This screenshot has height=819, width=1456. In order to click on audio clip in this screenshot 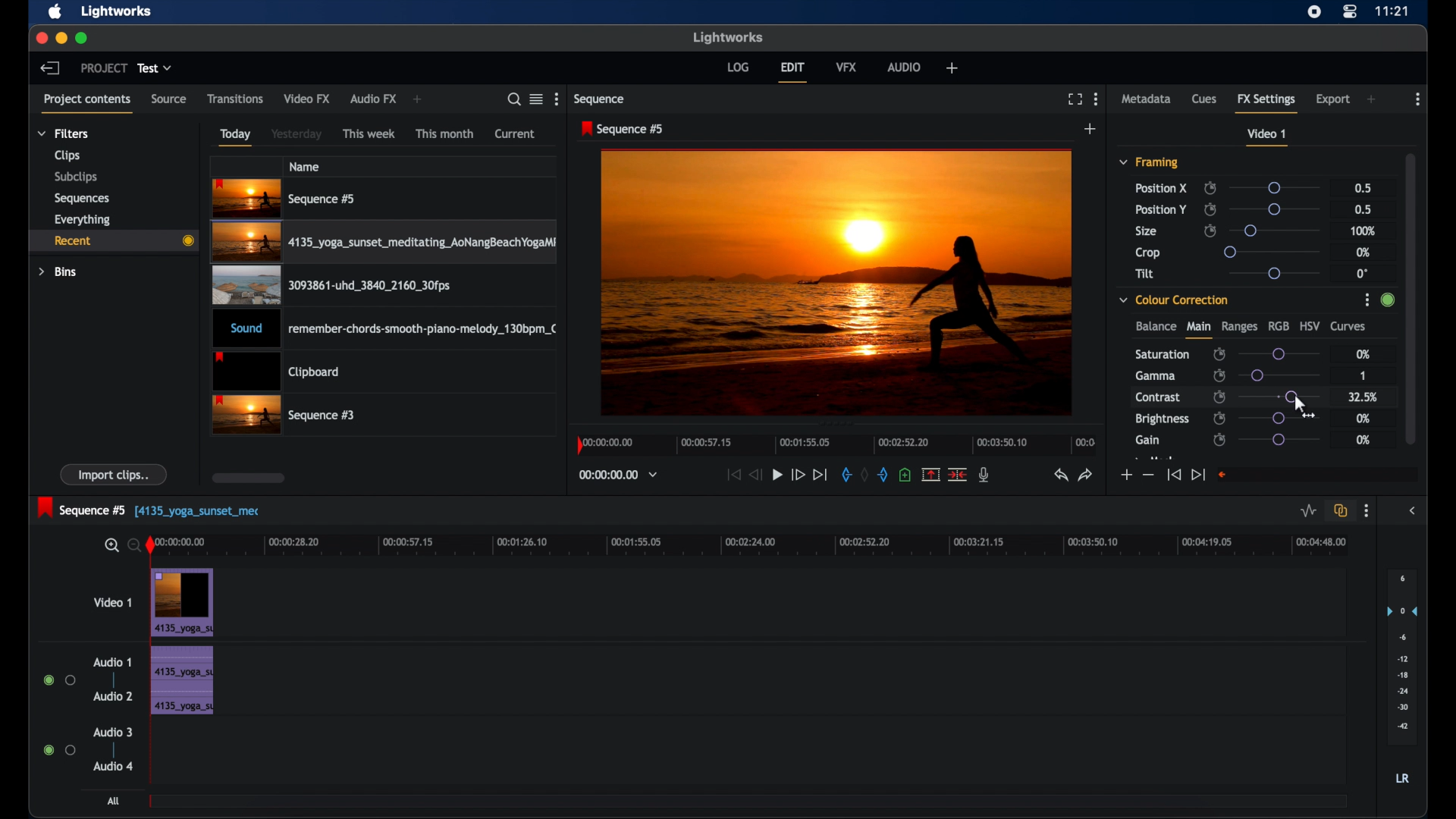, I will do `click(181, 682)`.